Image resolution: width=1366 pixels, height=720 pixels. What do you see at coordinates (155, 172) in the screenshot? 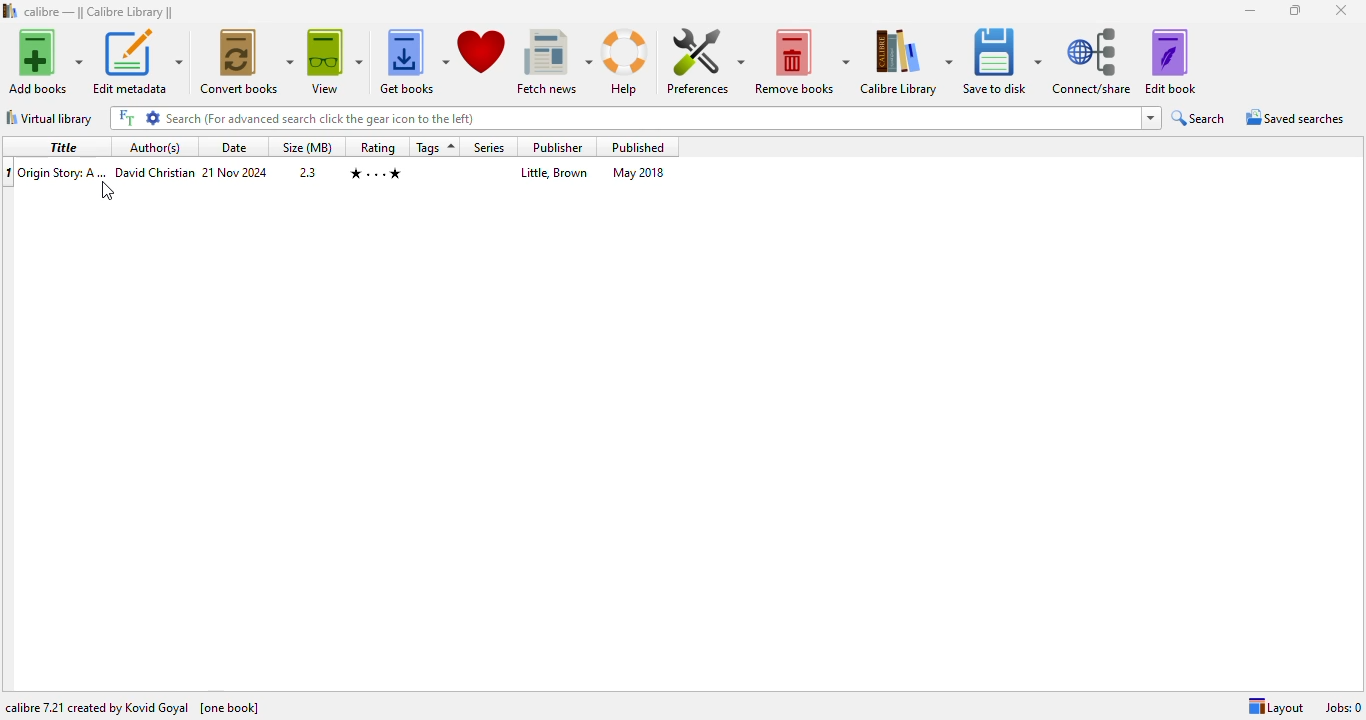
I see `David Christian` at bounding box center [155, 172].